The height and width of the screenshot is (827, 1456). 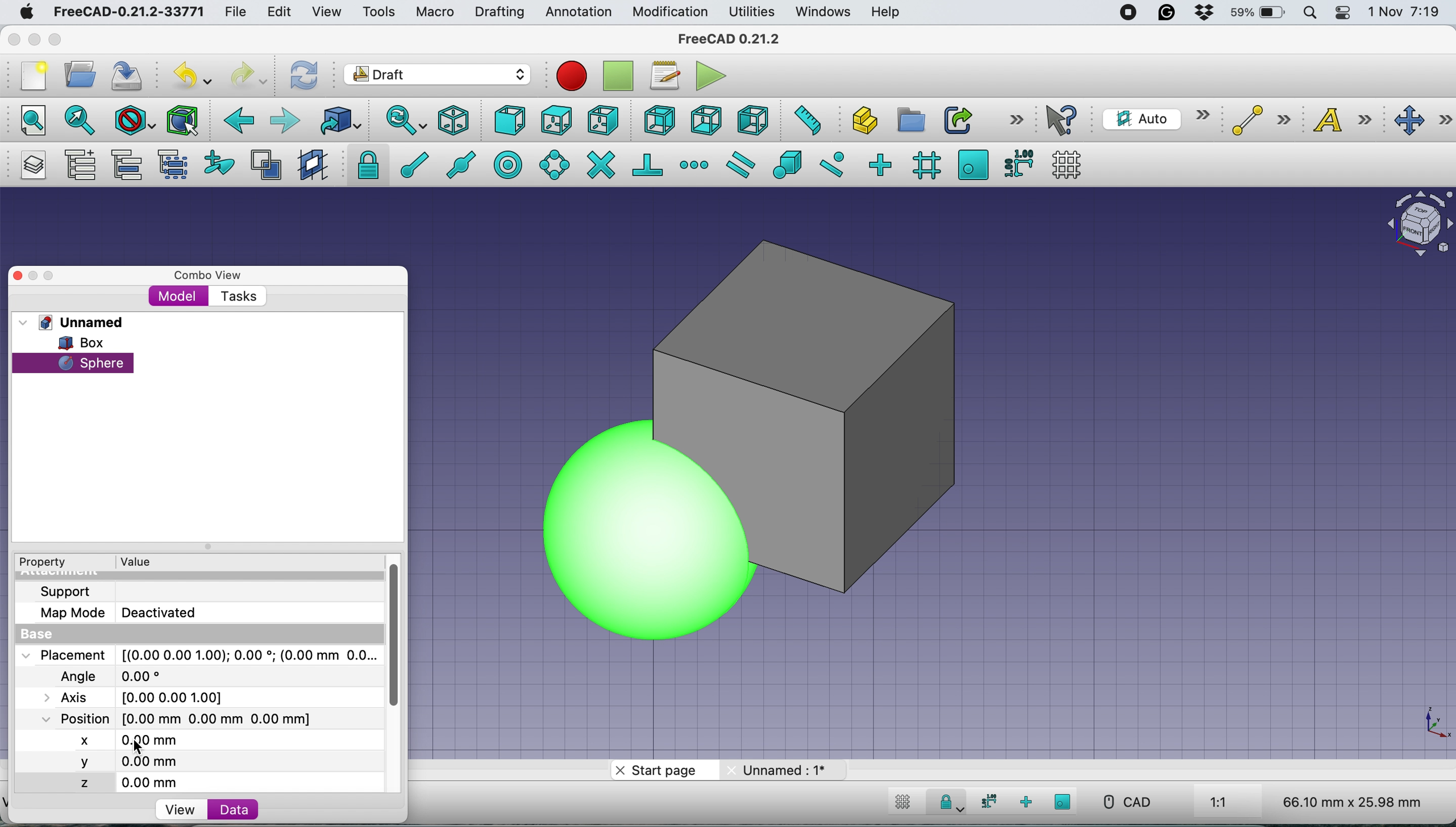 I want to click on property, so click(x=51, y=562).